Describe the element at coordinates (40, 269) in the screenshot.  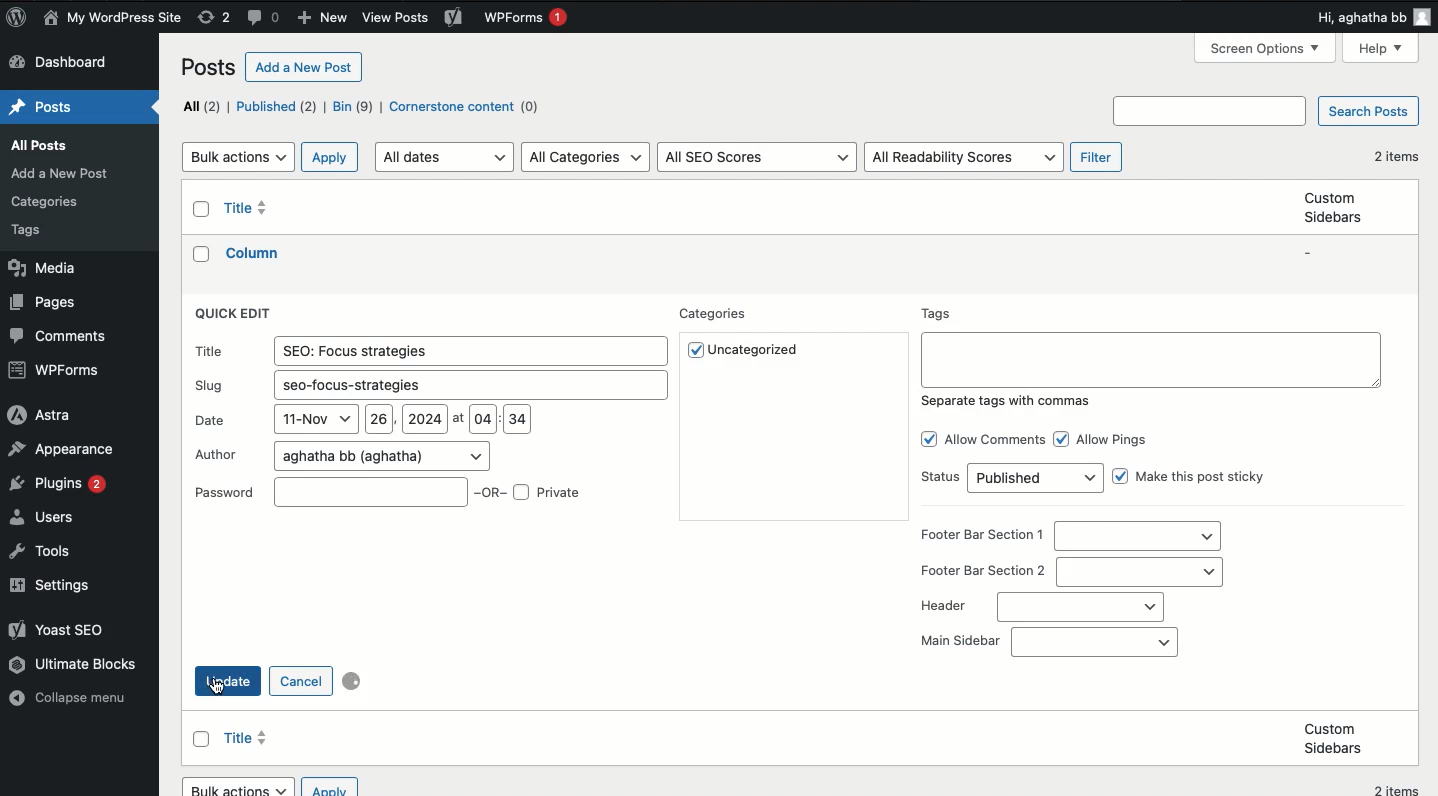
I see `Media` at that location.